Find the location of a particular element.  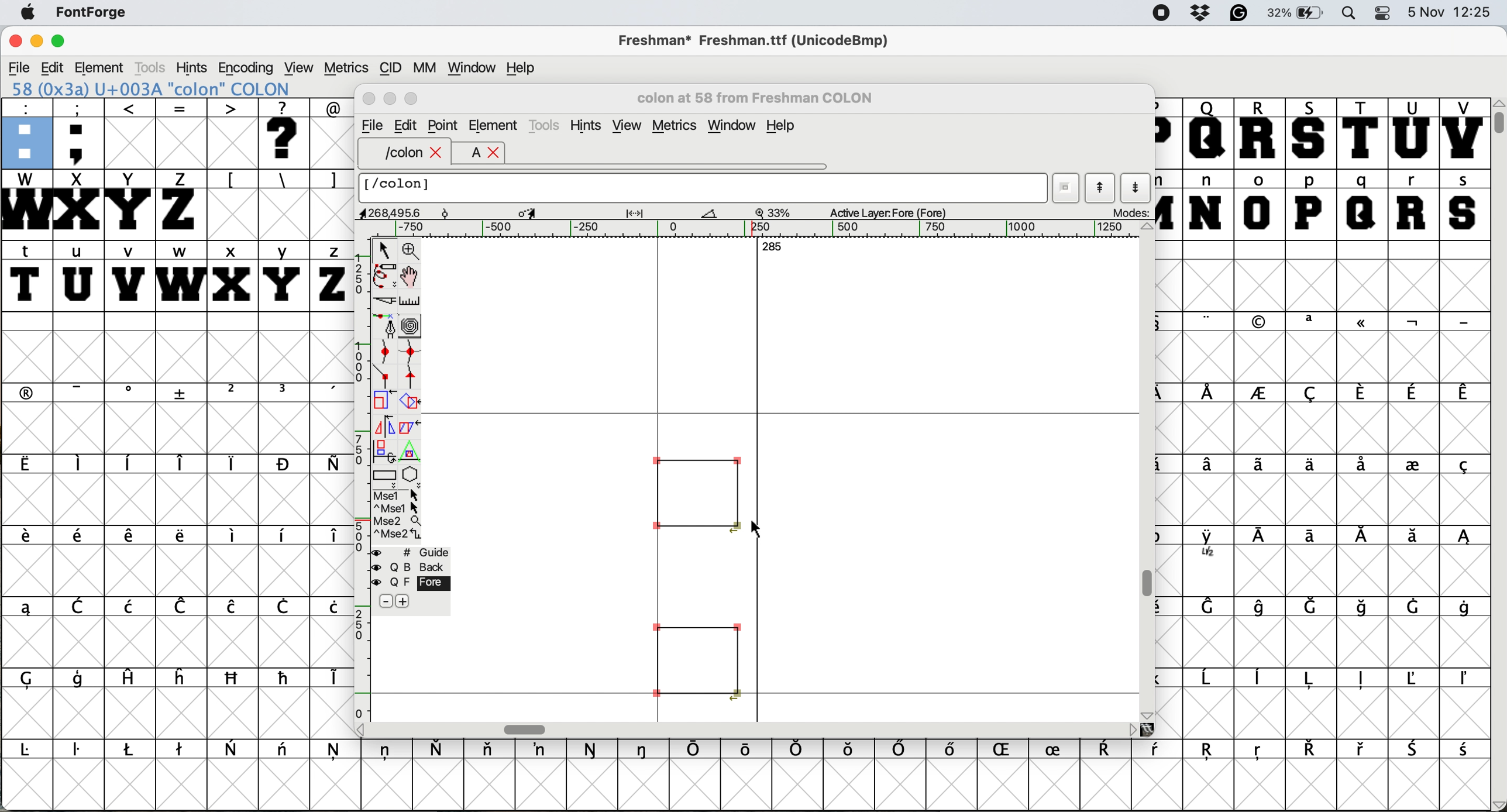

scroll by hand is located at coordinates (413, 273).